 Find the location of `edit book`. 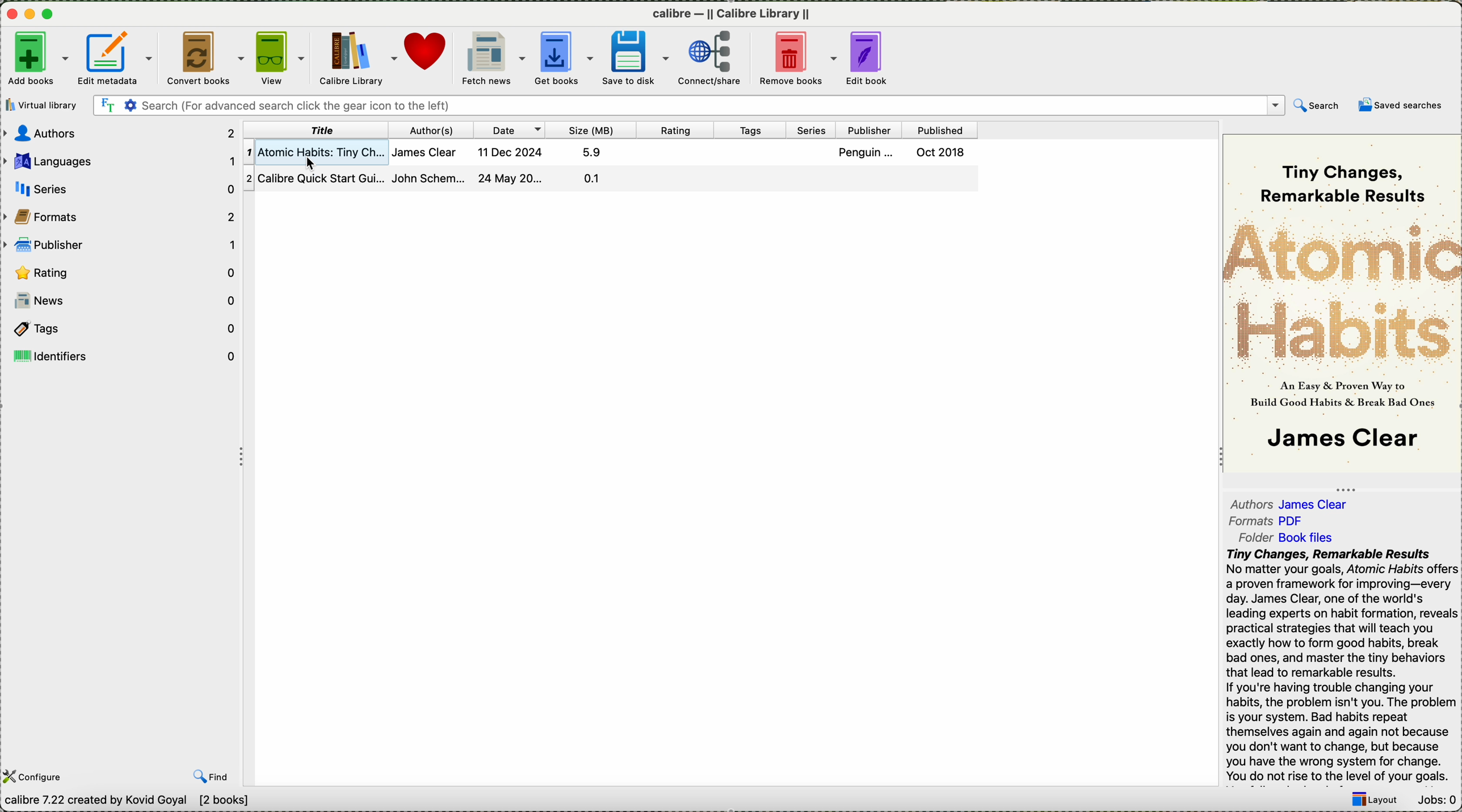

edit book is located at coordinates (875, 57).